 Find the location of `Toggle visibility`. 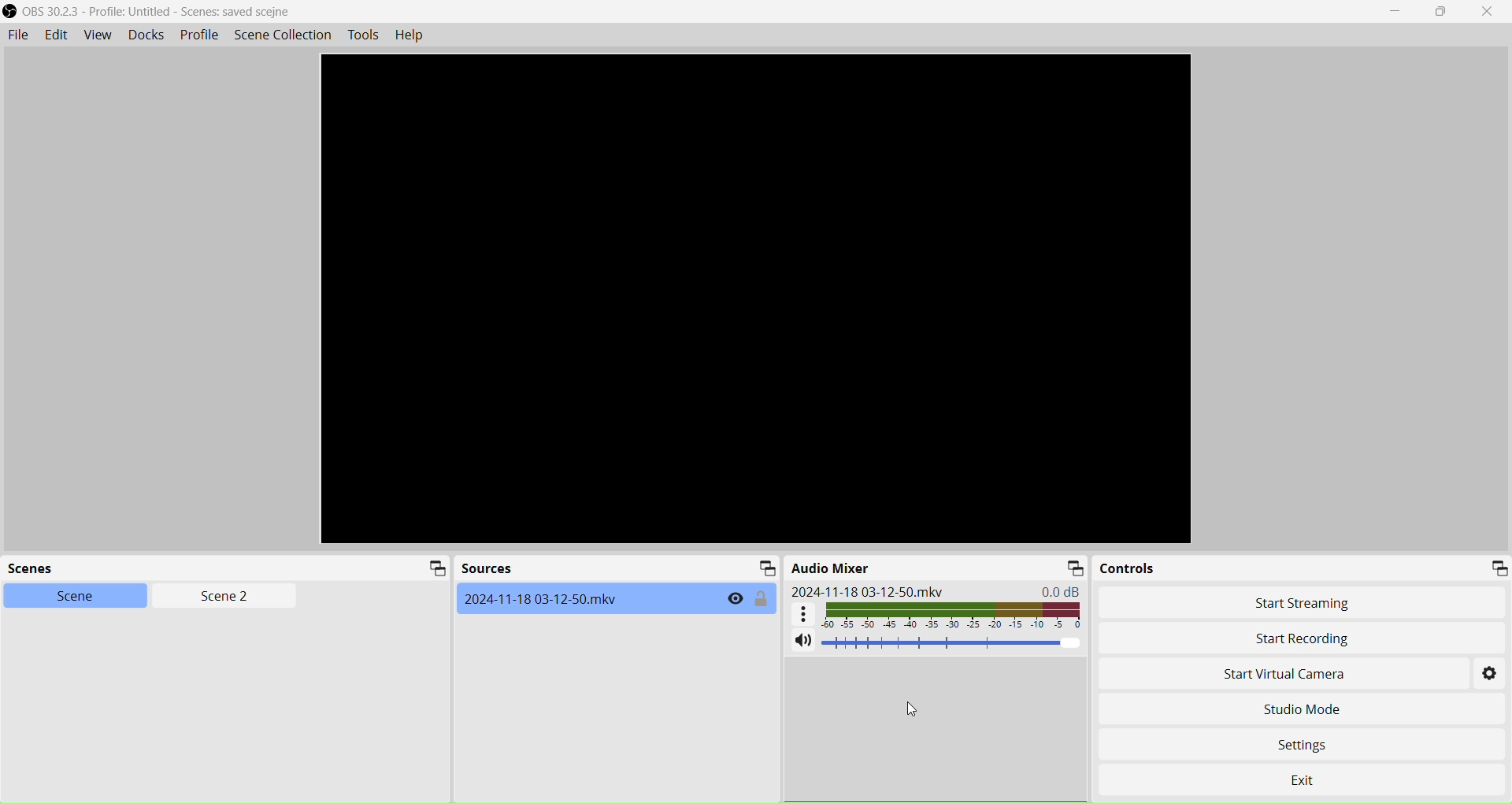

Toggle visibility is located at coordinates (735, 599).